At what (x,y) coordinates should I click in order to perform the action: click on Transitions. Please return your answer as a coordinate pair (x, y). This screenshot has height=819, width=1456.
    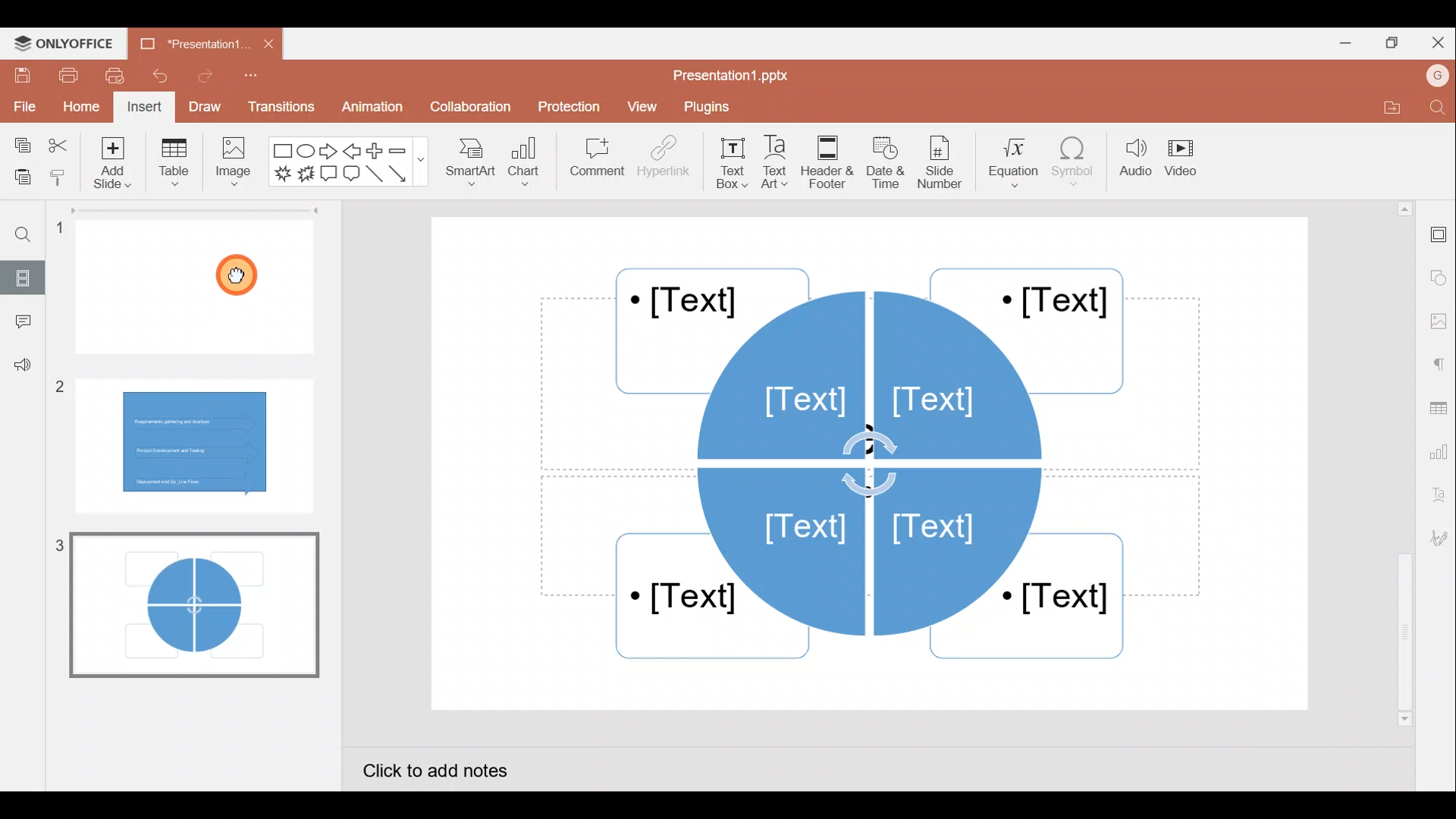
    Looking at the image, I should click on (279, 106).